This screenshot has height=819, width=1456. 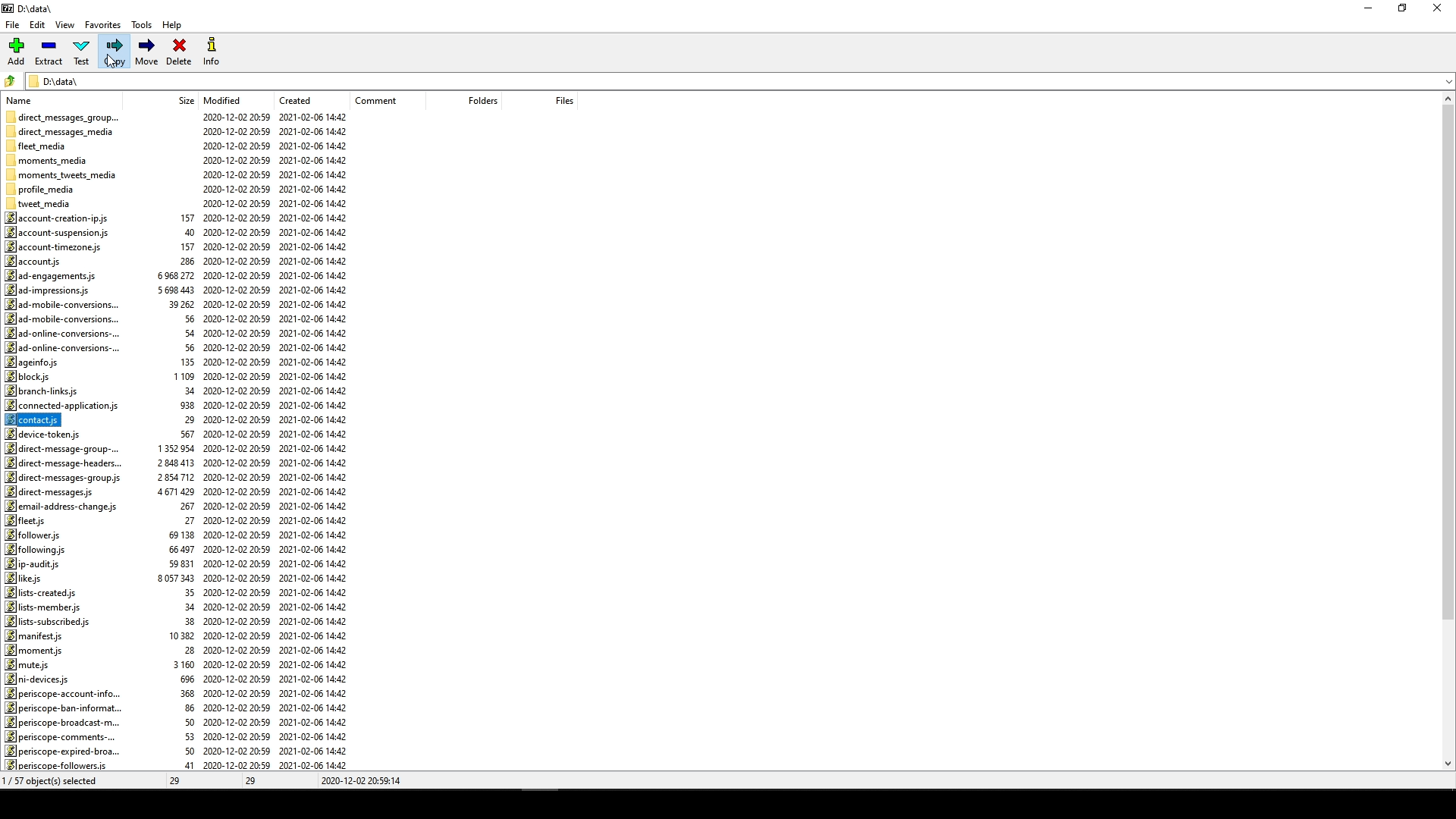 I want to click on D:\data\, so click(x=58, y=80).